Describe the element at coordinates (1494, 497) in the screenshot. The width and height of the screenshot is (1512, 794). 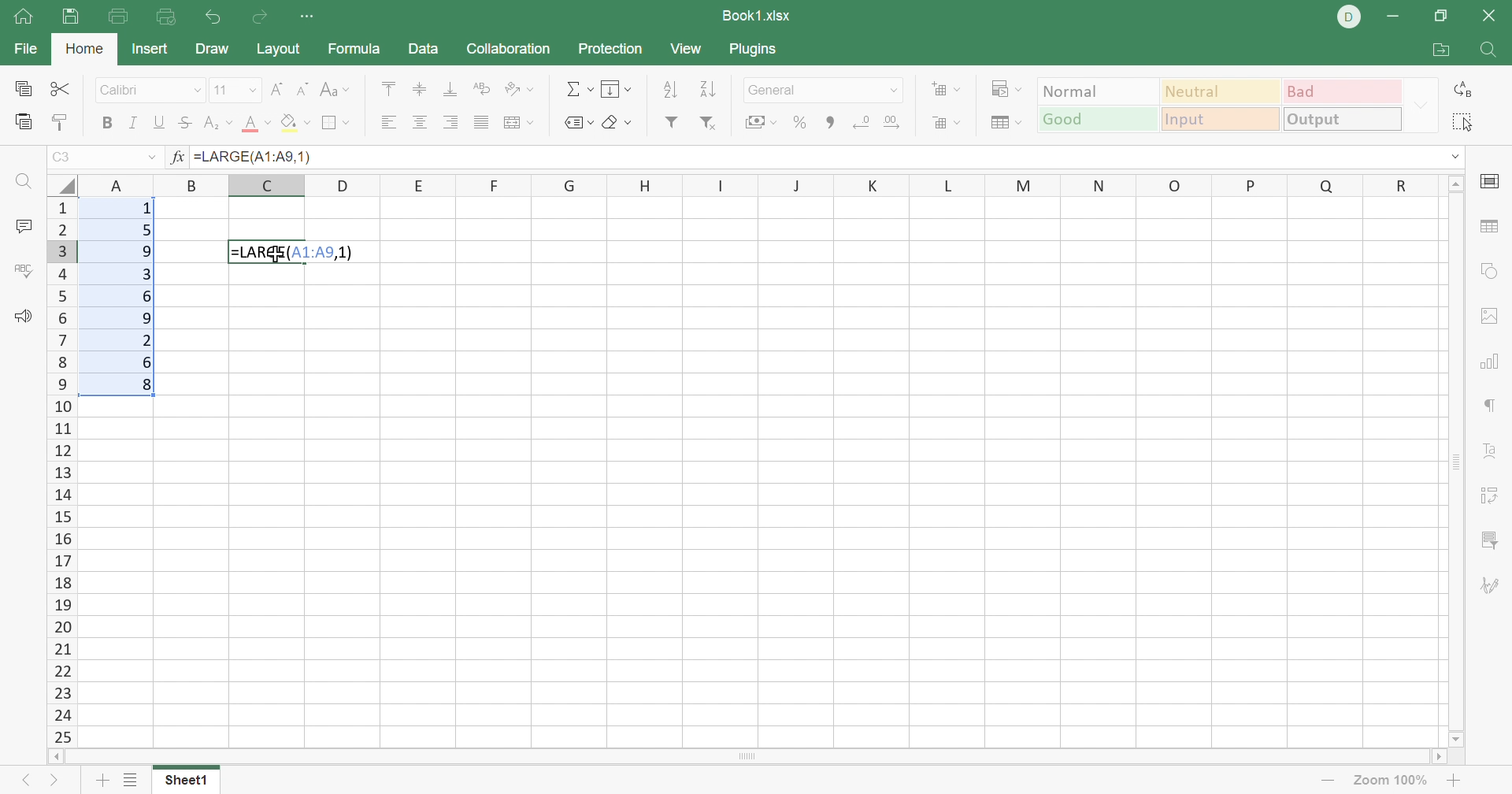
I see `Pivot Table settings` at that location.